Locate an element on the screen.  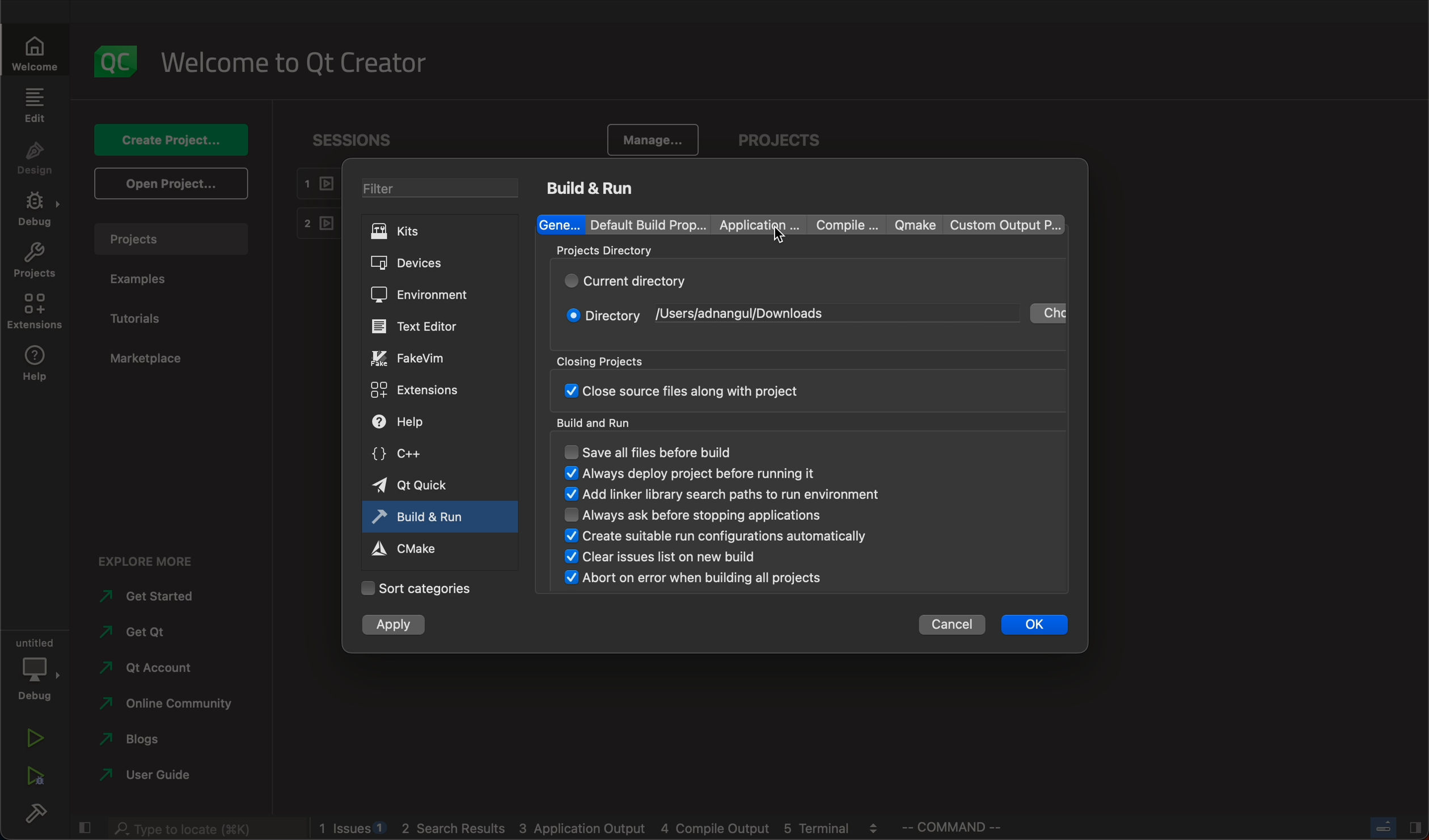
' Always deploy project before running it is located at coordinates (695, 474).